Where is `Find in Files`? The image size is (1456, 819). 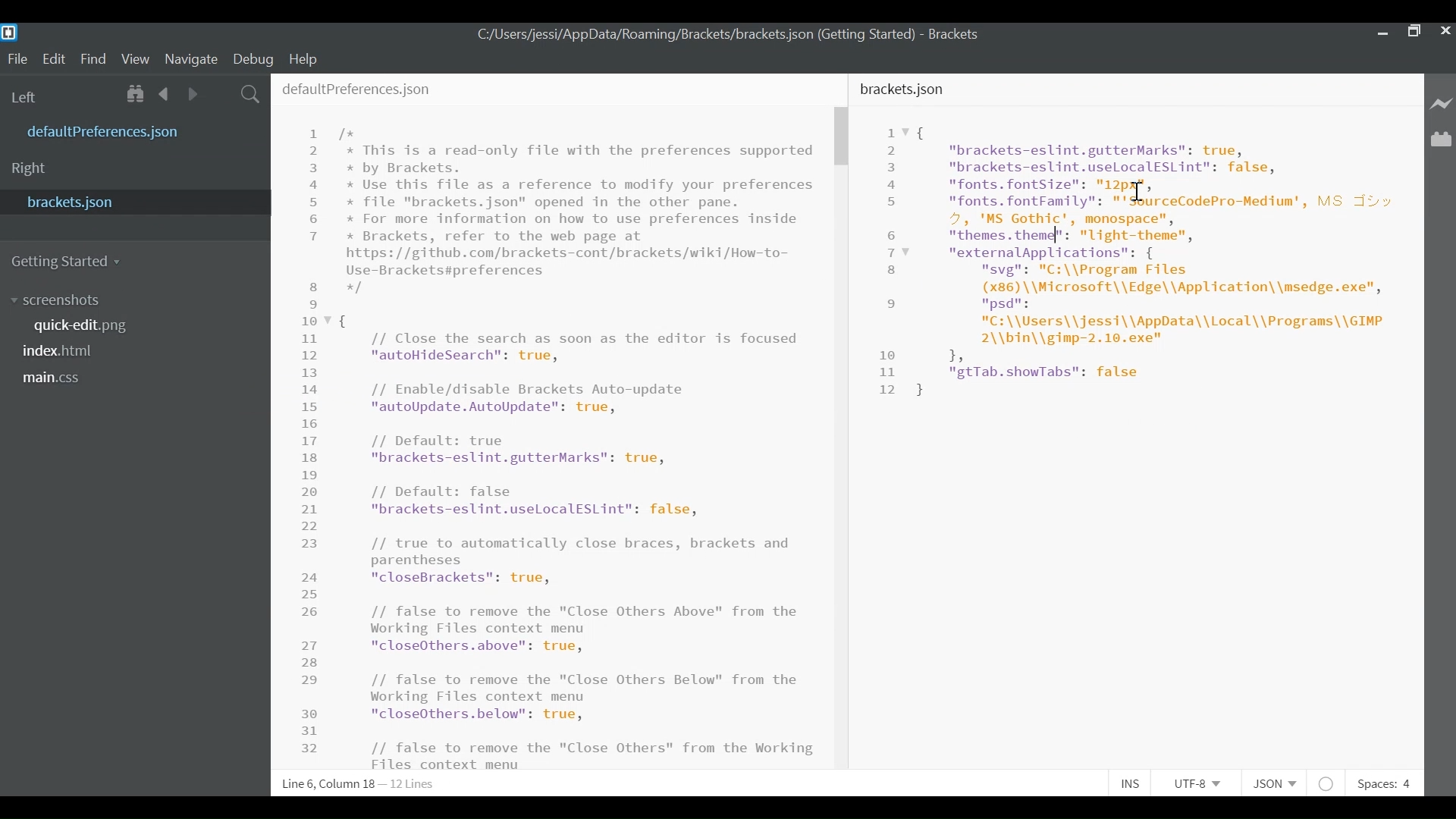
Find in Files is located at coordinates (252, 96).